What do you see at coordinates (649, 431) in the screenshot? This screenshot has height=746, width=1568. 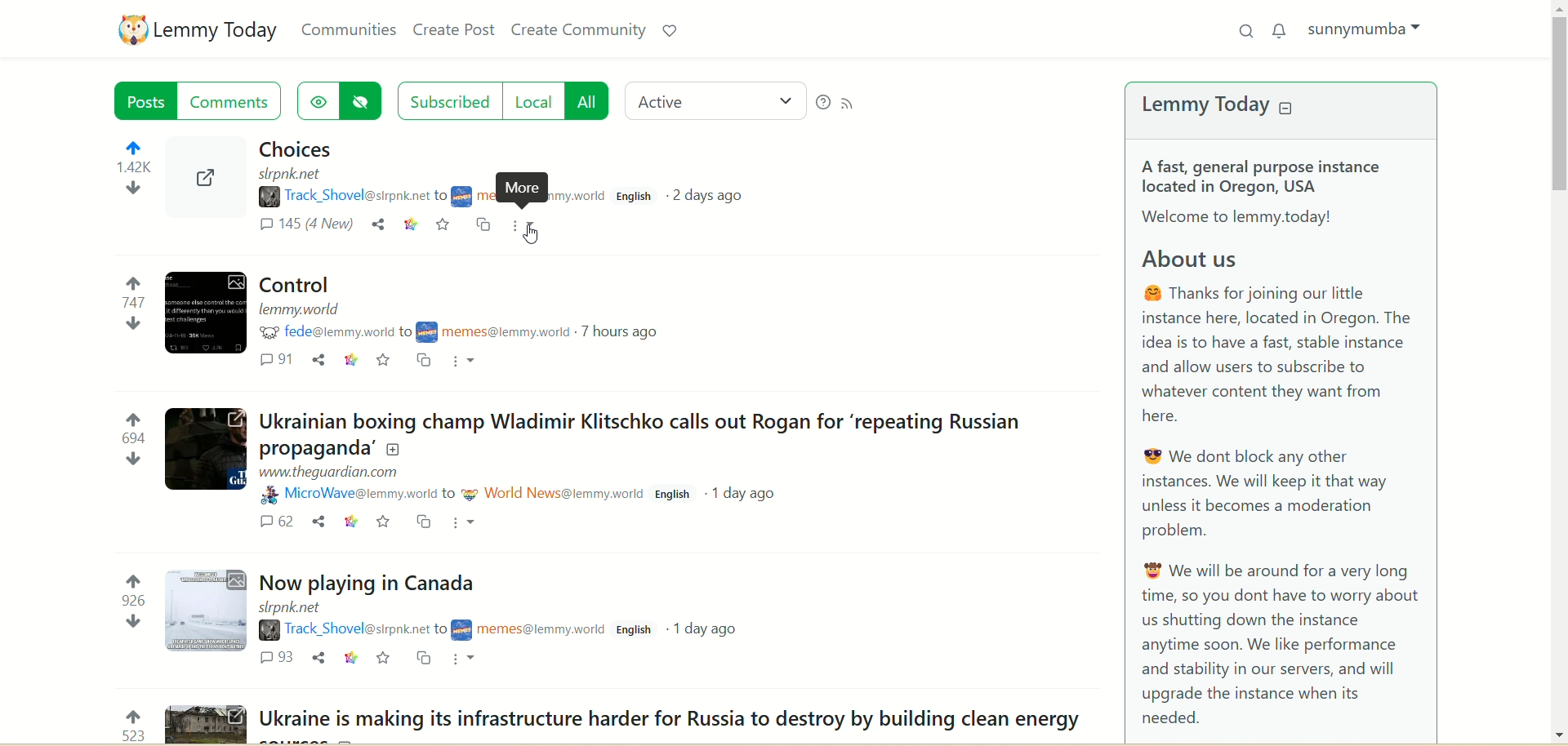 I see `Post on "Ukrainian boxing champ Wladimir Klitschko calls out Rogan for ‘repeating Russian propaganda’"` at bounding box center [649, 431].